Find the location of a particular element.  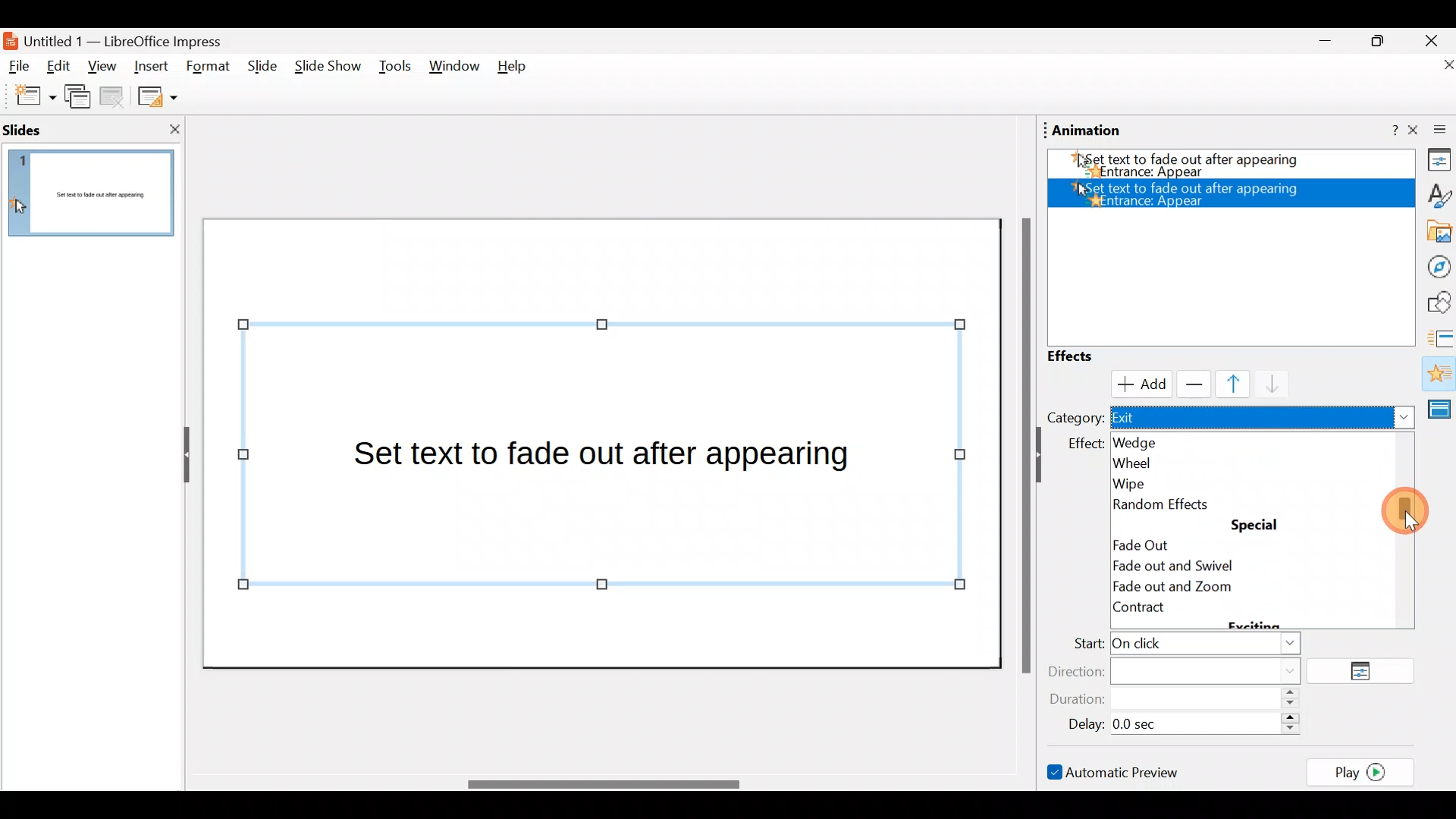

Delay is located at coordinates (1179, 722).